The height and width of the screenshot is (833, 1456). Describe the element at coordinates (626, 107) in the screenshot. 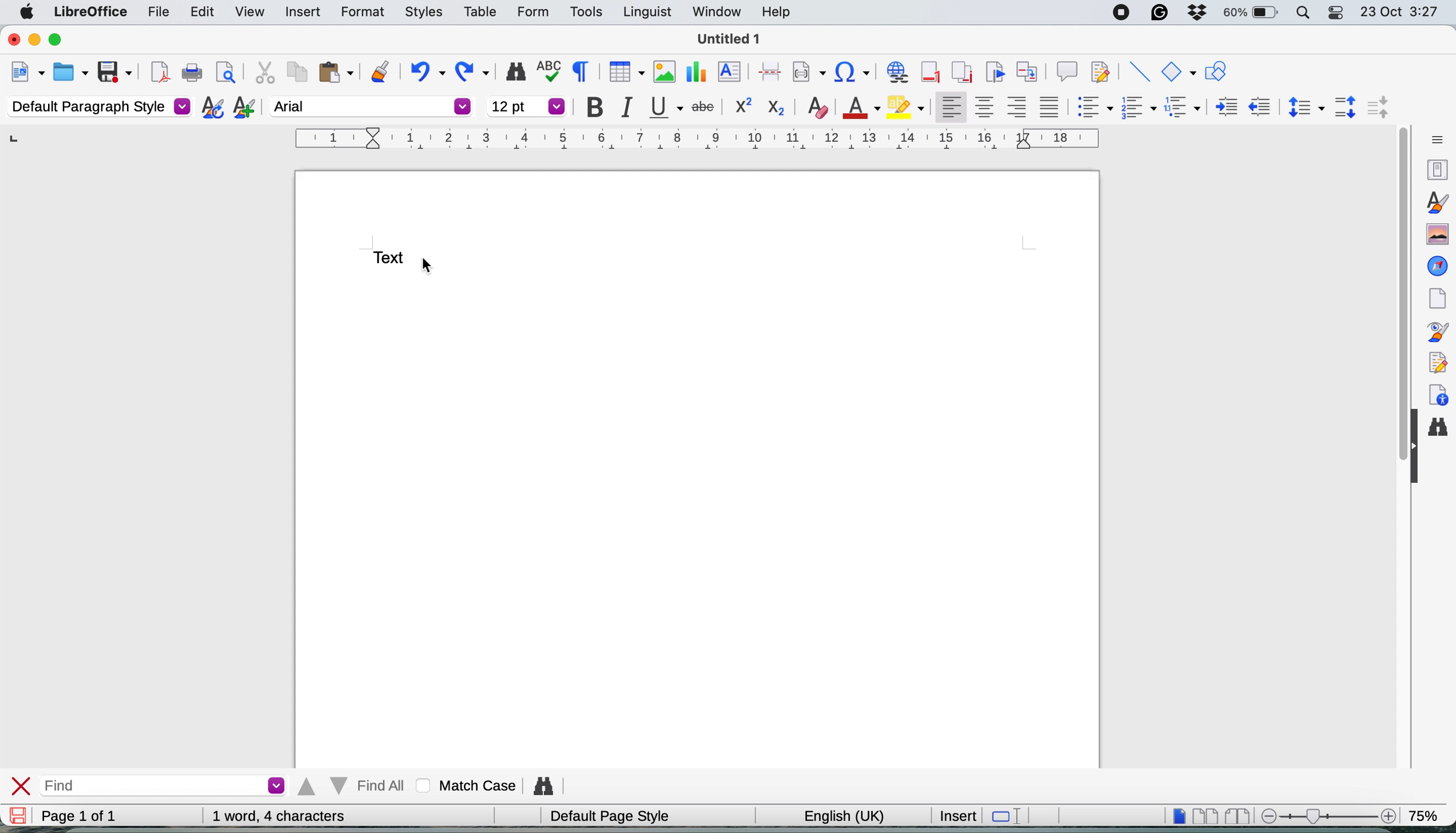

I see `italic` at that location.